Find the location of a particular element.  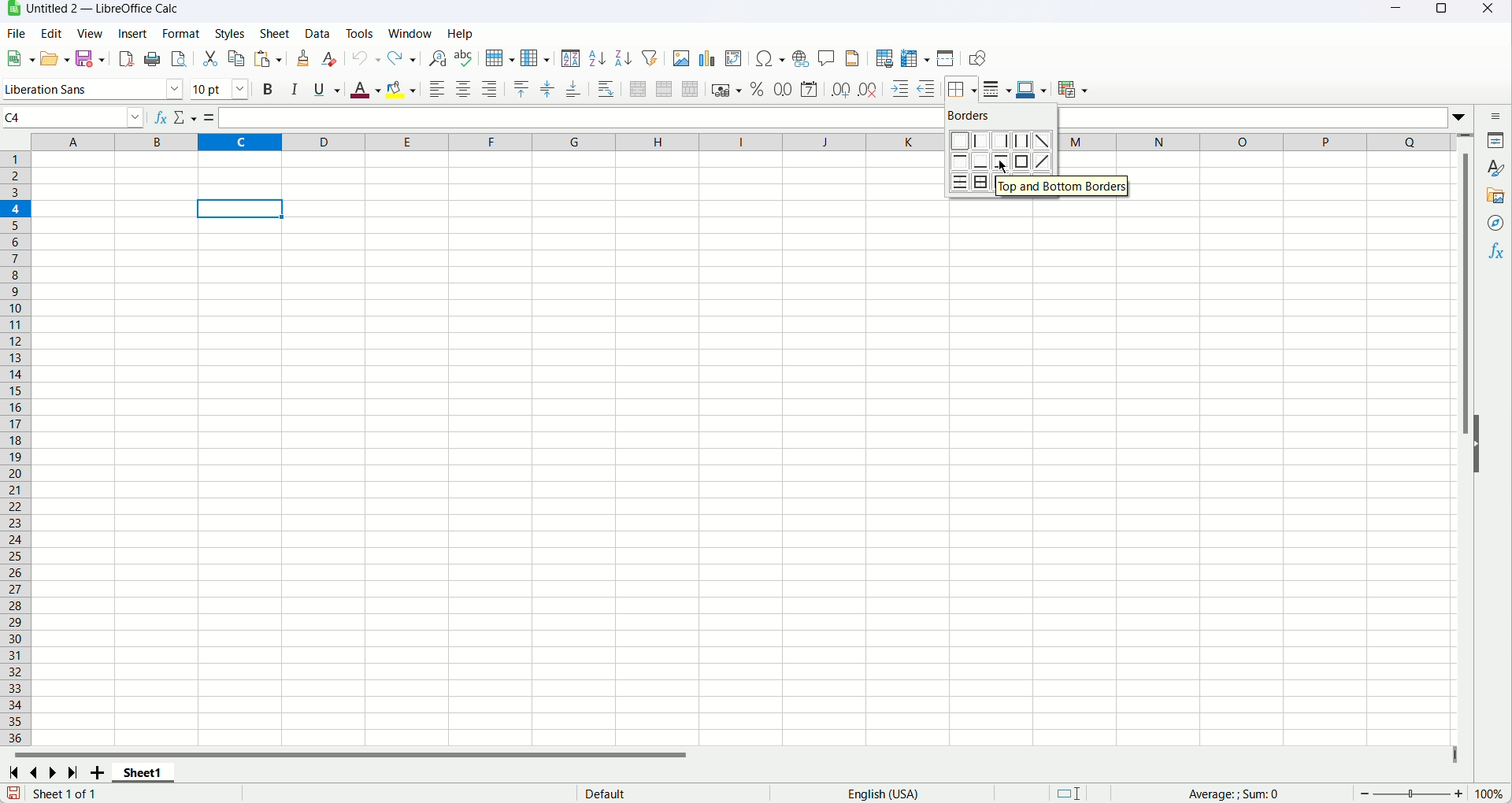

First sheet is located at coordinates (13, 774).